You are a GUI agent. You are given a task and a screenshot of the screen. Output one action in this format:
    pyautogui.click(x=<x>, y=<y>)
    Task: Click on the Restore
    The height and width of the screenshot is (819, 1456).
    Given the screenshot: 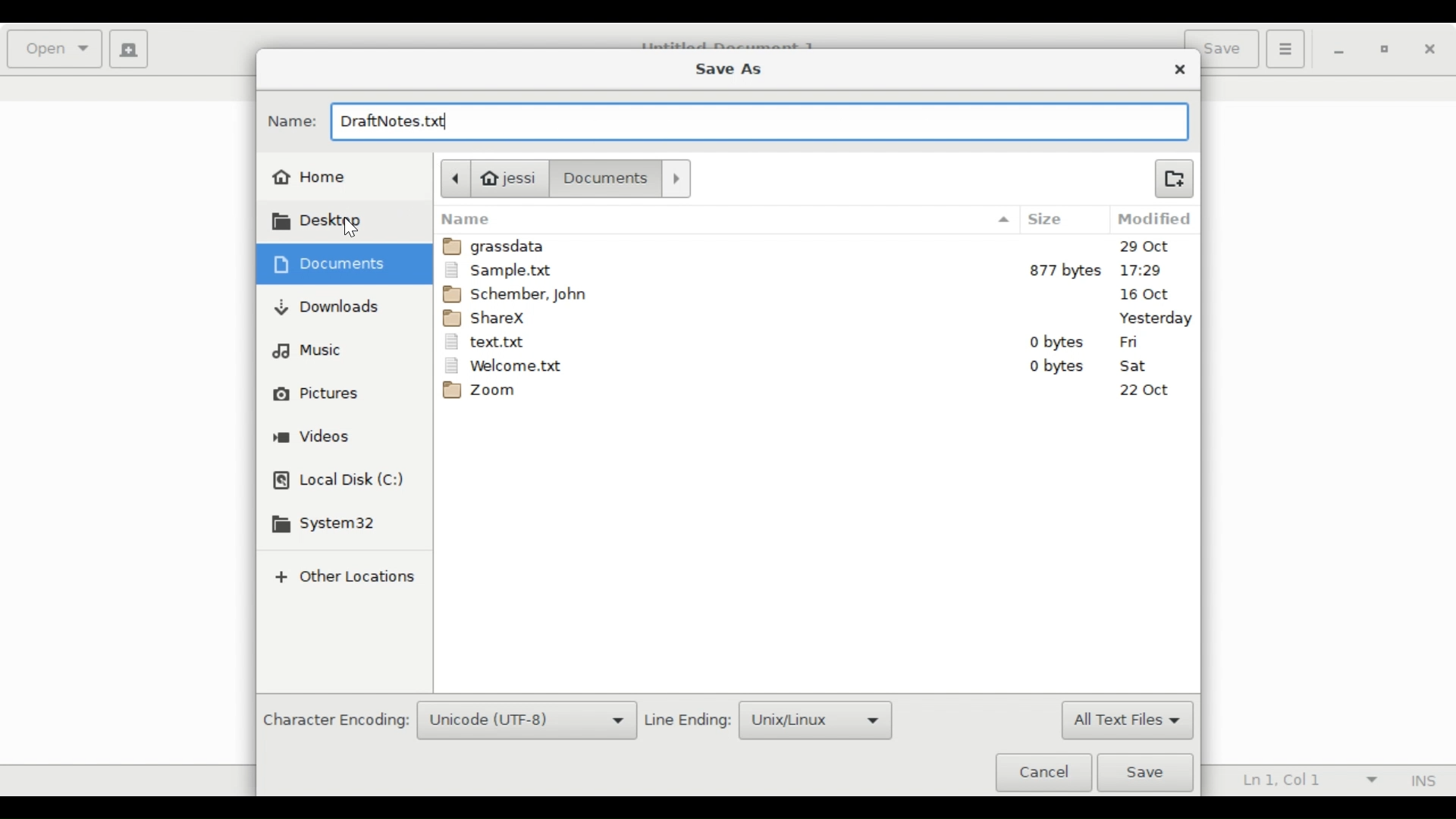 What is the action you would take?
    pyautogui.click(x=1386, y=52)
    